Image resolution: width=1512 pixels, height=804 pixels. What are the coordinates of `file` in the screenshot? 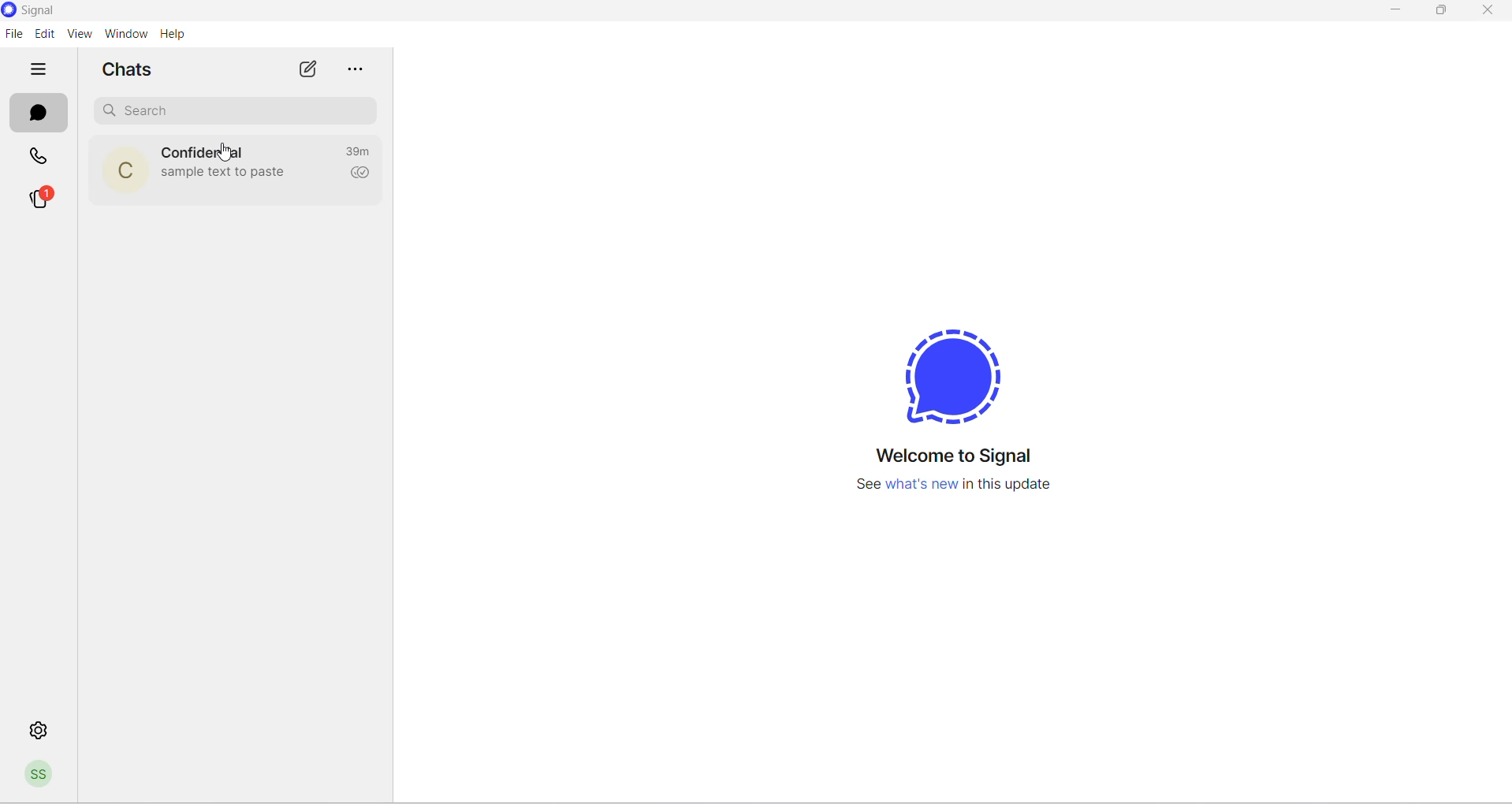 It's located at (13, 35).